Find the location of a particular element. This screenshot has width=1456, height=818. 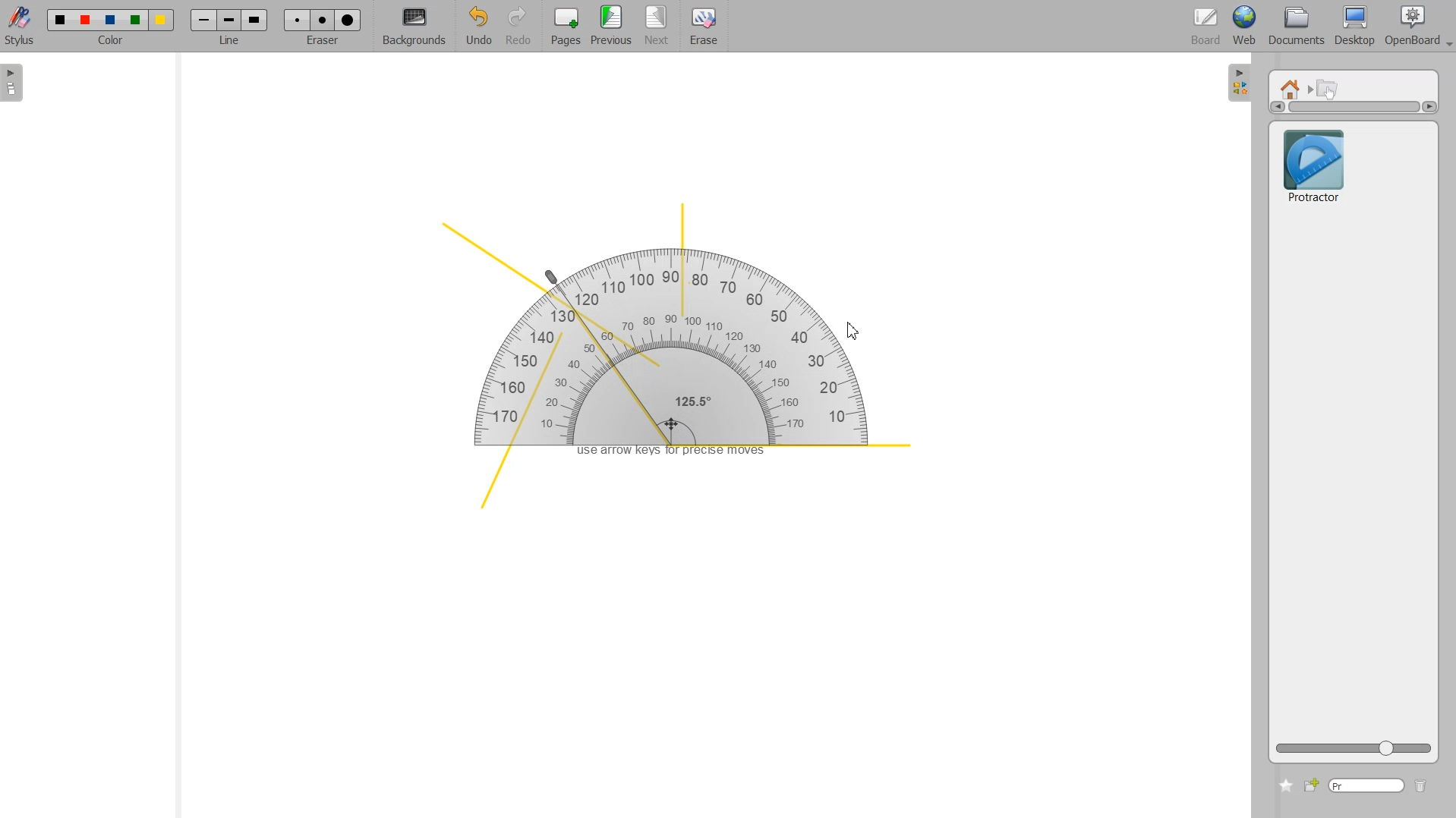

Pages is located at coordinates (564, 27).